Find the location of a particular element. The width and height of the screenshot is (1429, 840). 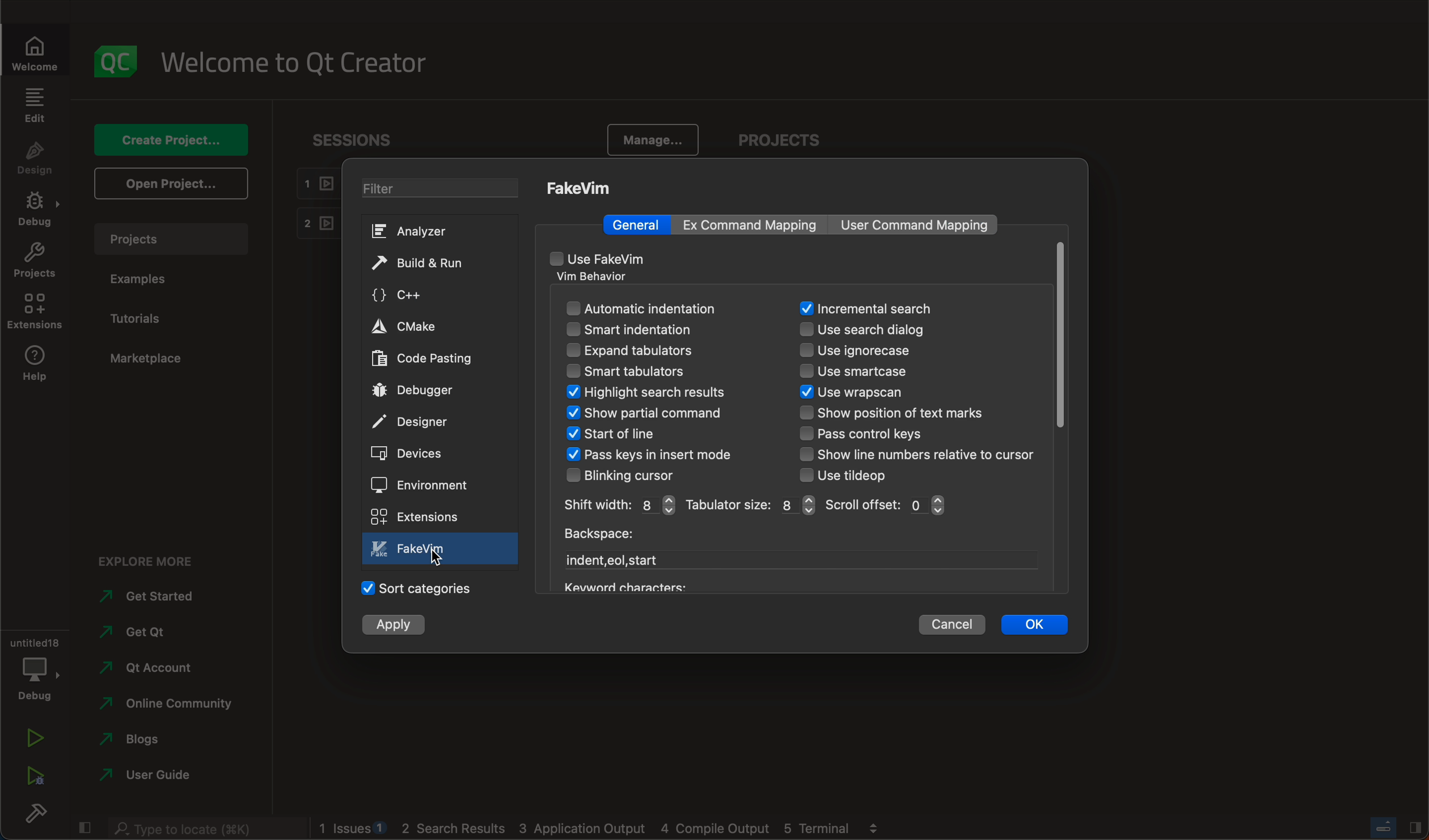

categories is located at coordinates (419, 587).